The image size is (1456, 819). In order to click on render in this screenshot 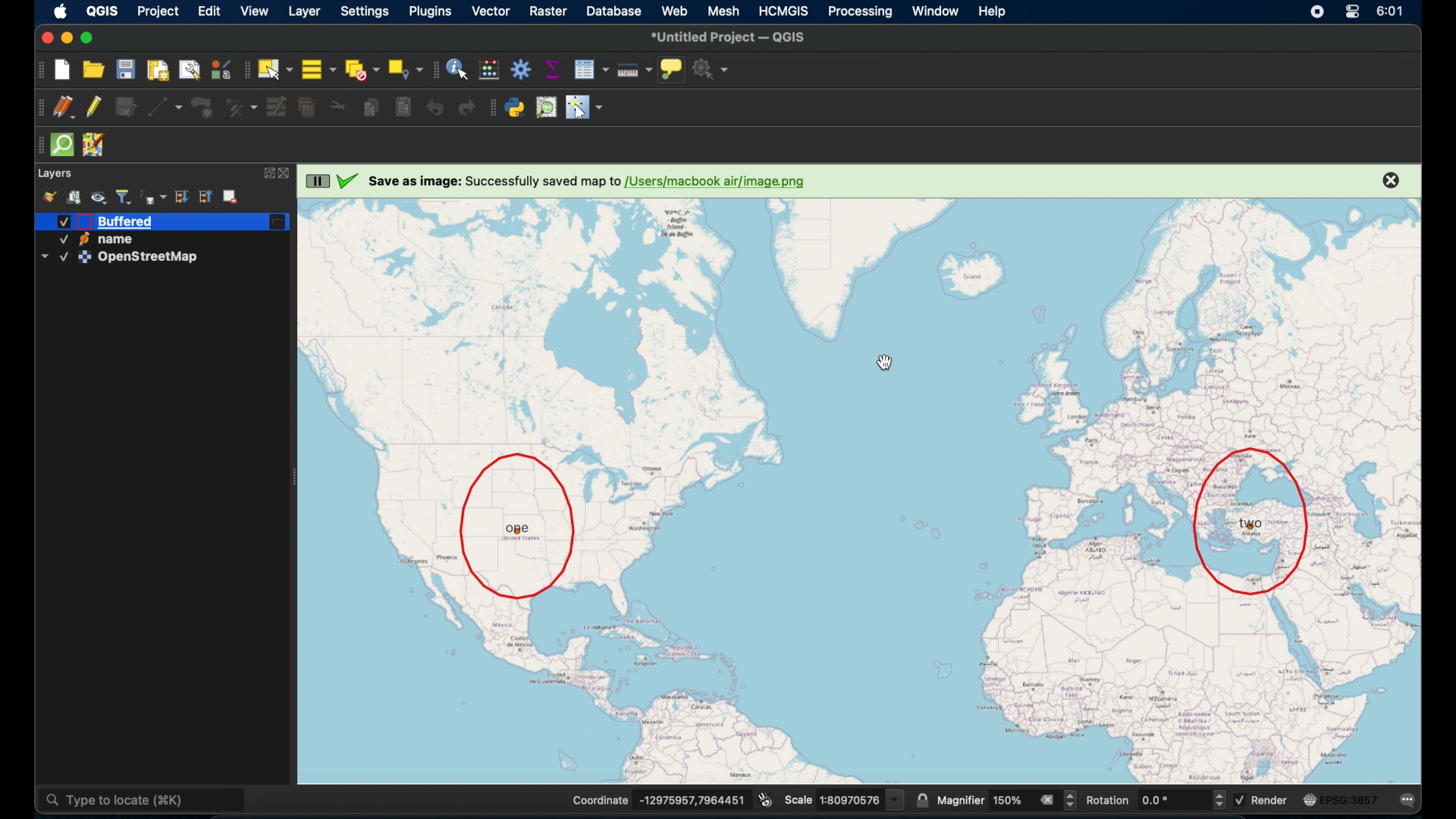, I will do `click(1272, 799)`.